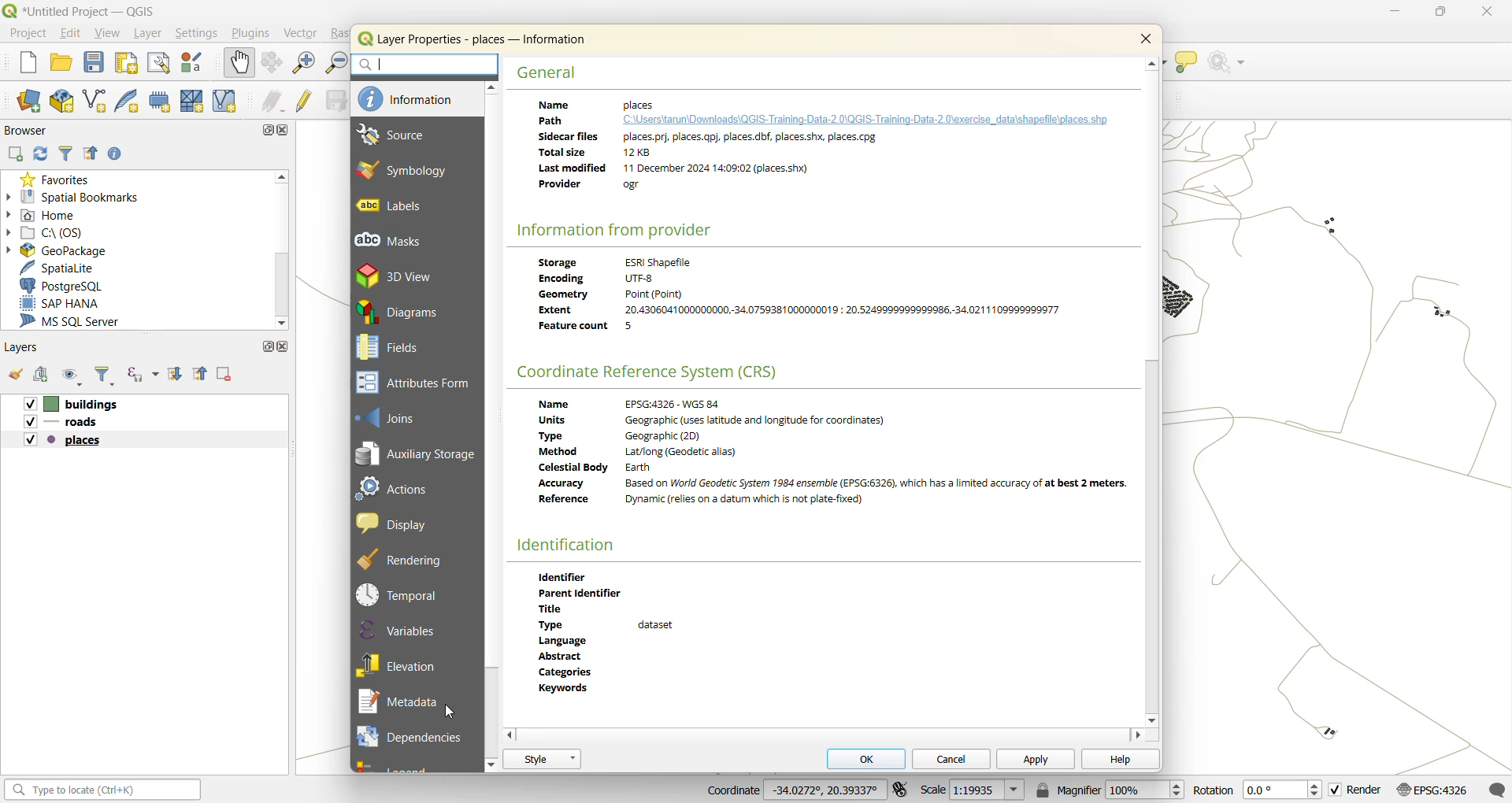 The image size is (1512, 803). Describe the element at coordinates (430, 65) in the screenshot. I see `search` at that location.